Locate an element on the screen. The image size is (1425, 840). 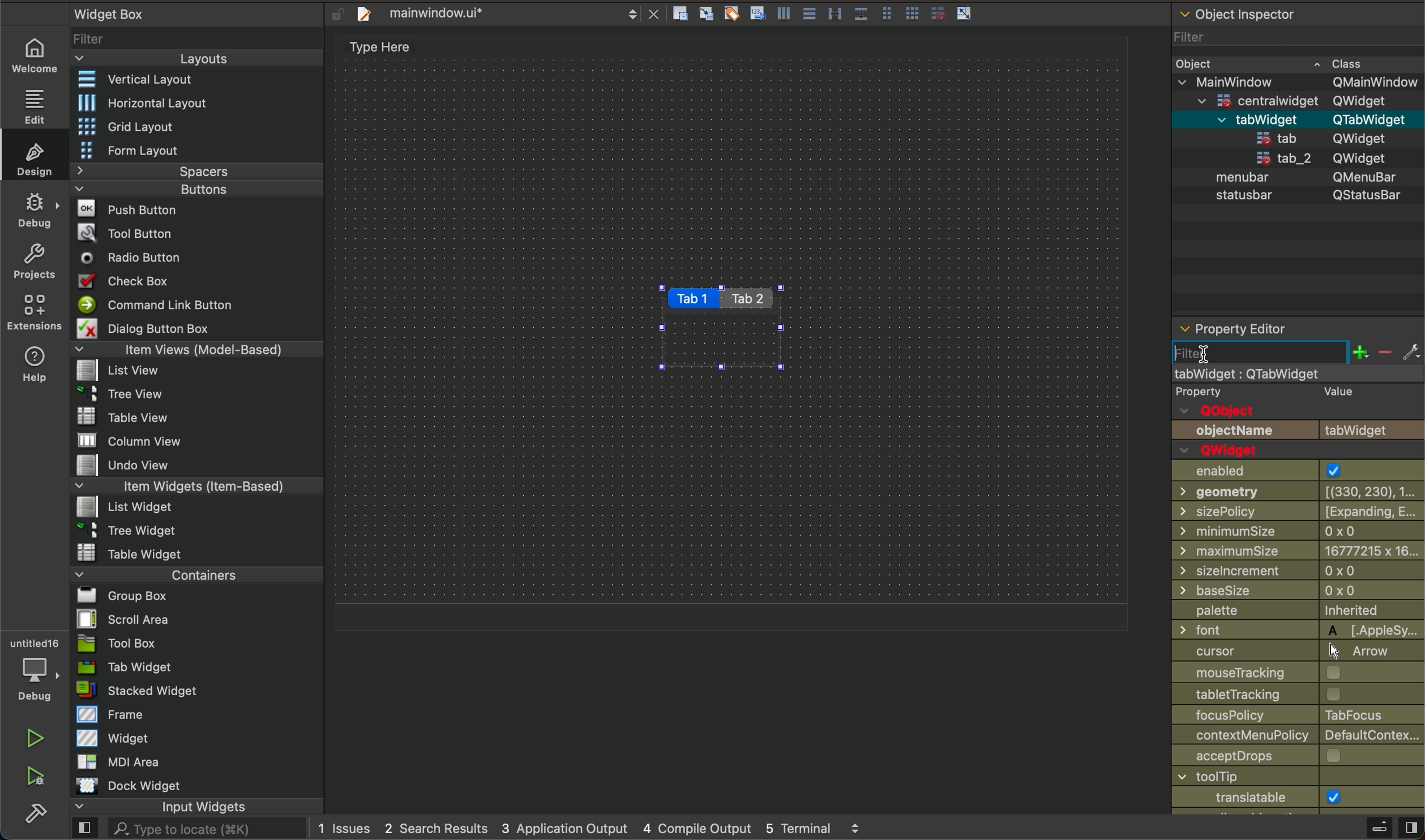
Widget Box is located at coordinates (105, 14).